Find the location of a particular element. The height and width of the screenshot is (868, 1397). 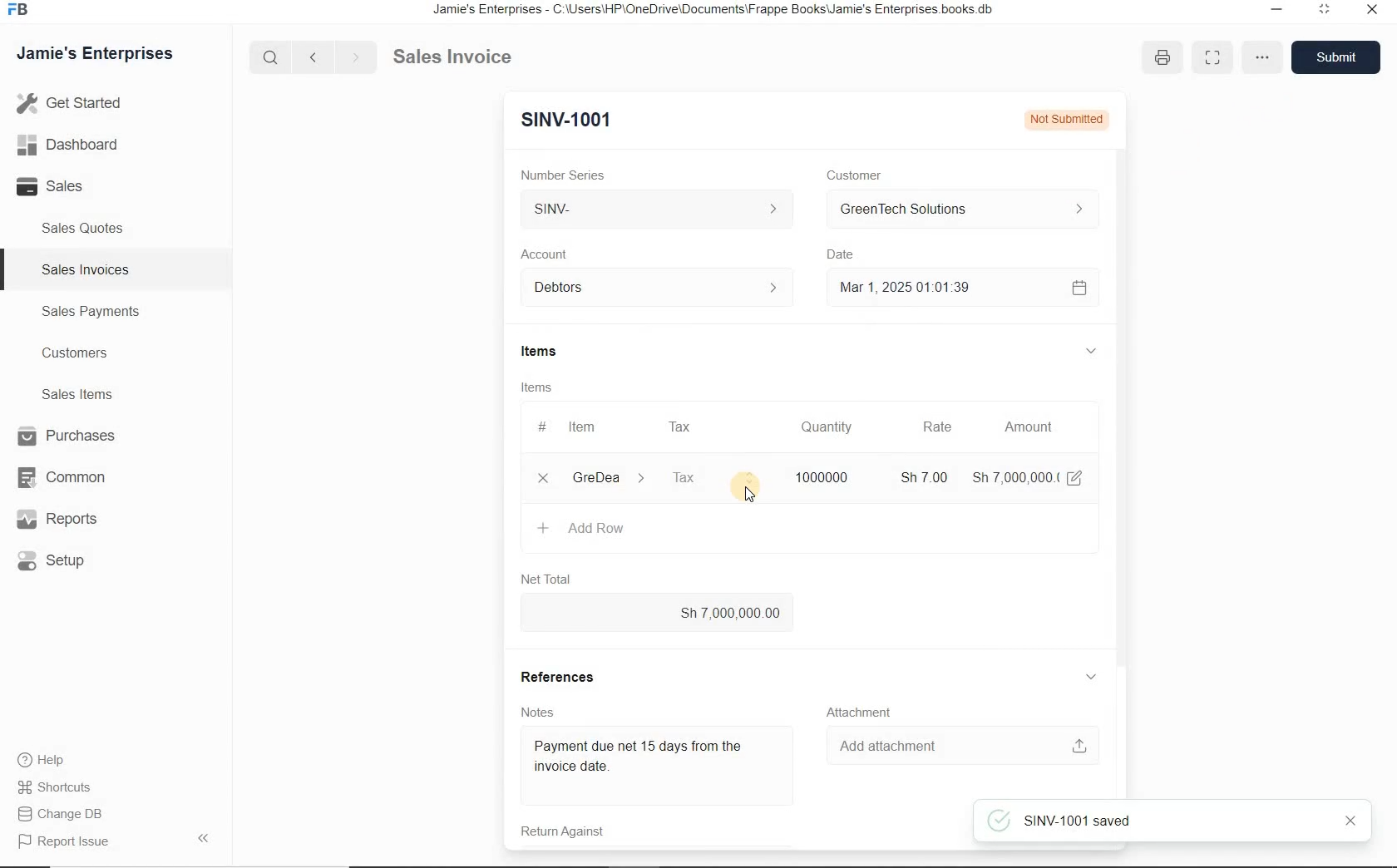

Sales Invoice is located at coordinates (454, 57).